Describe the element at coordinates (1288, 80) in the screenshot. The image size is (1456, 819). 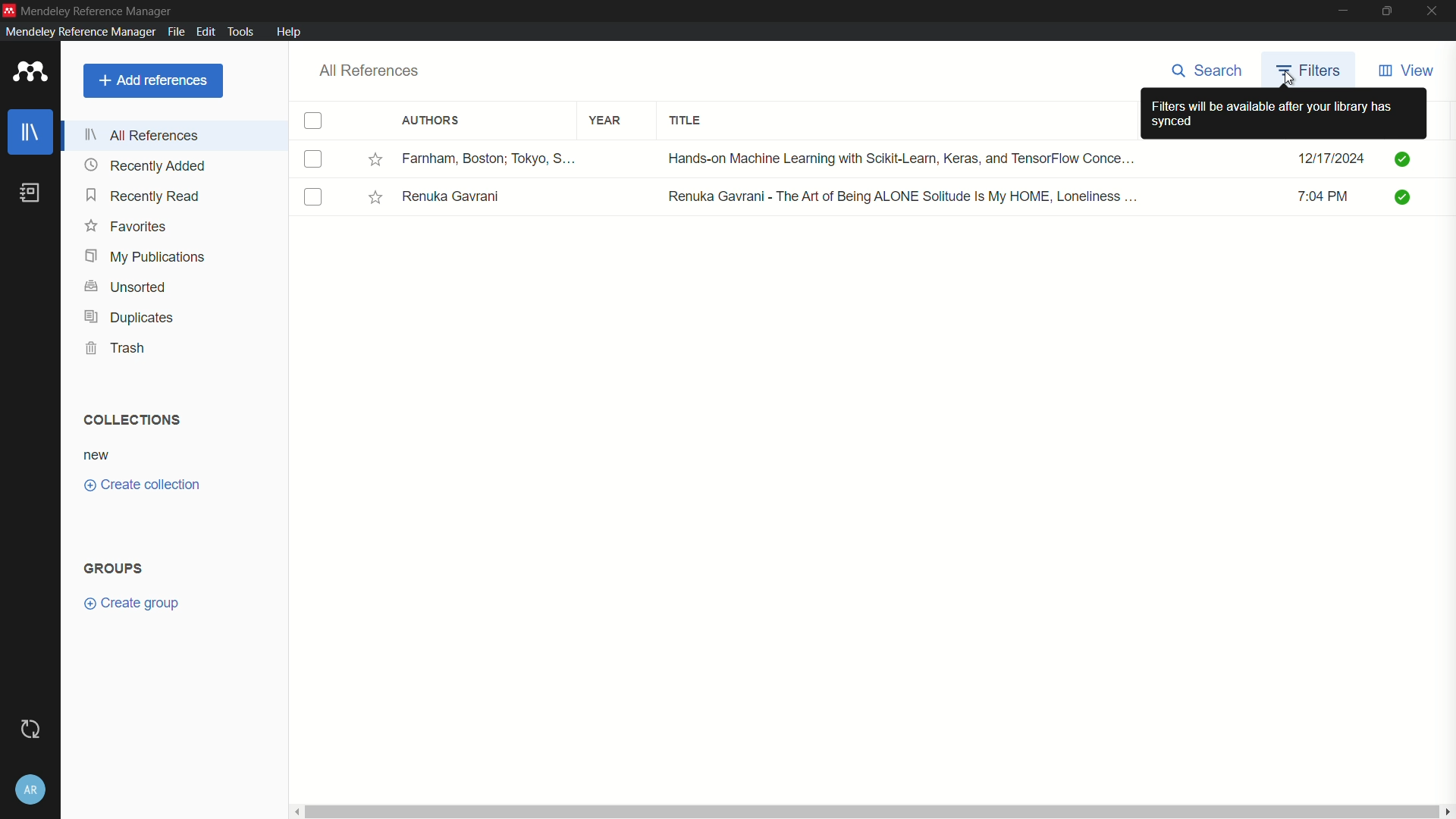
I see `cursor` at that location.